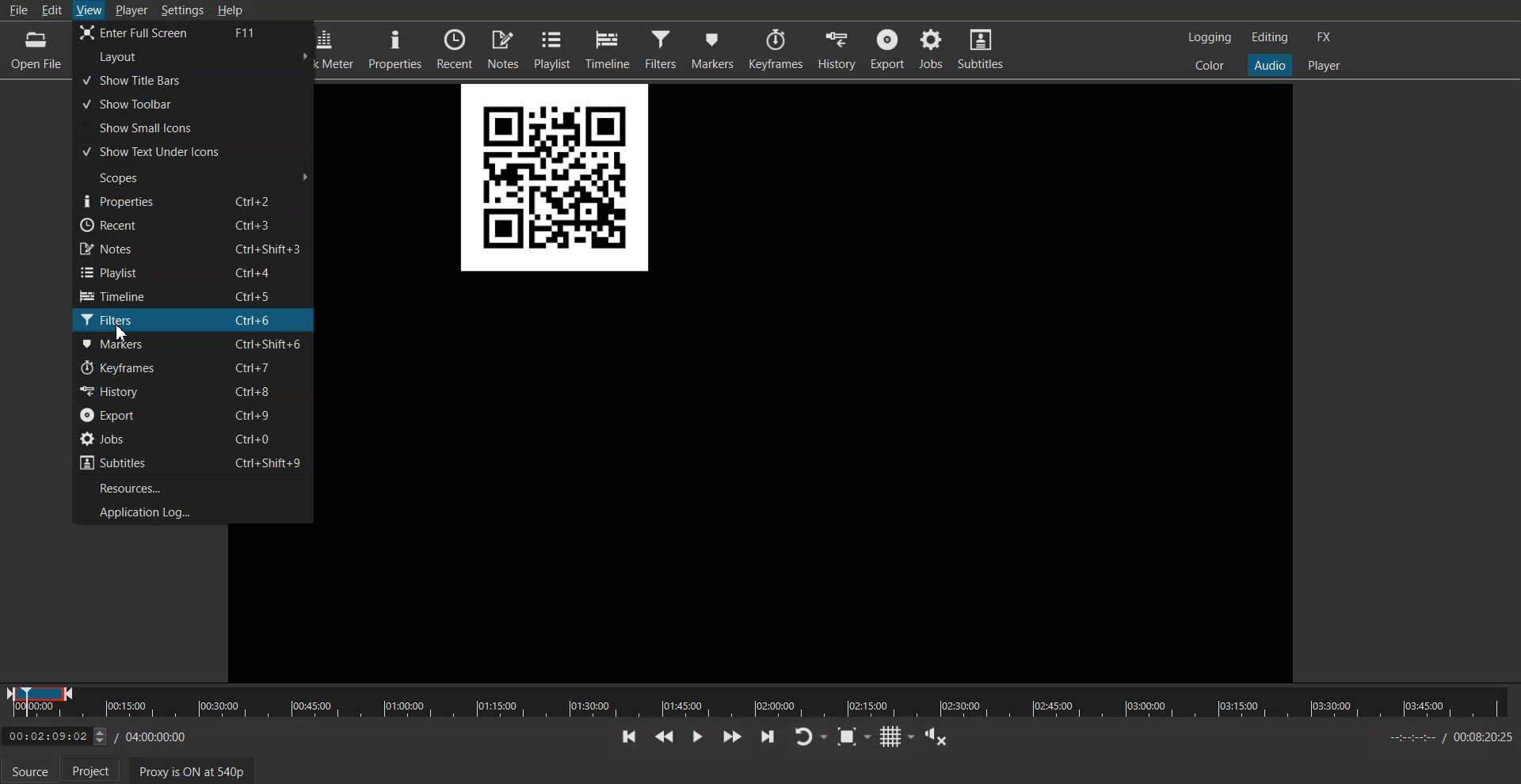 This screenshot has width=1521, height=784. Describe the element at coordinates (732, 736) in the screenshot. I see `Play Quickly forwards` at that location.